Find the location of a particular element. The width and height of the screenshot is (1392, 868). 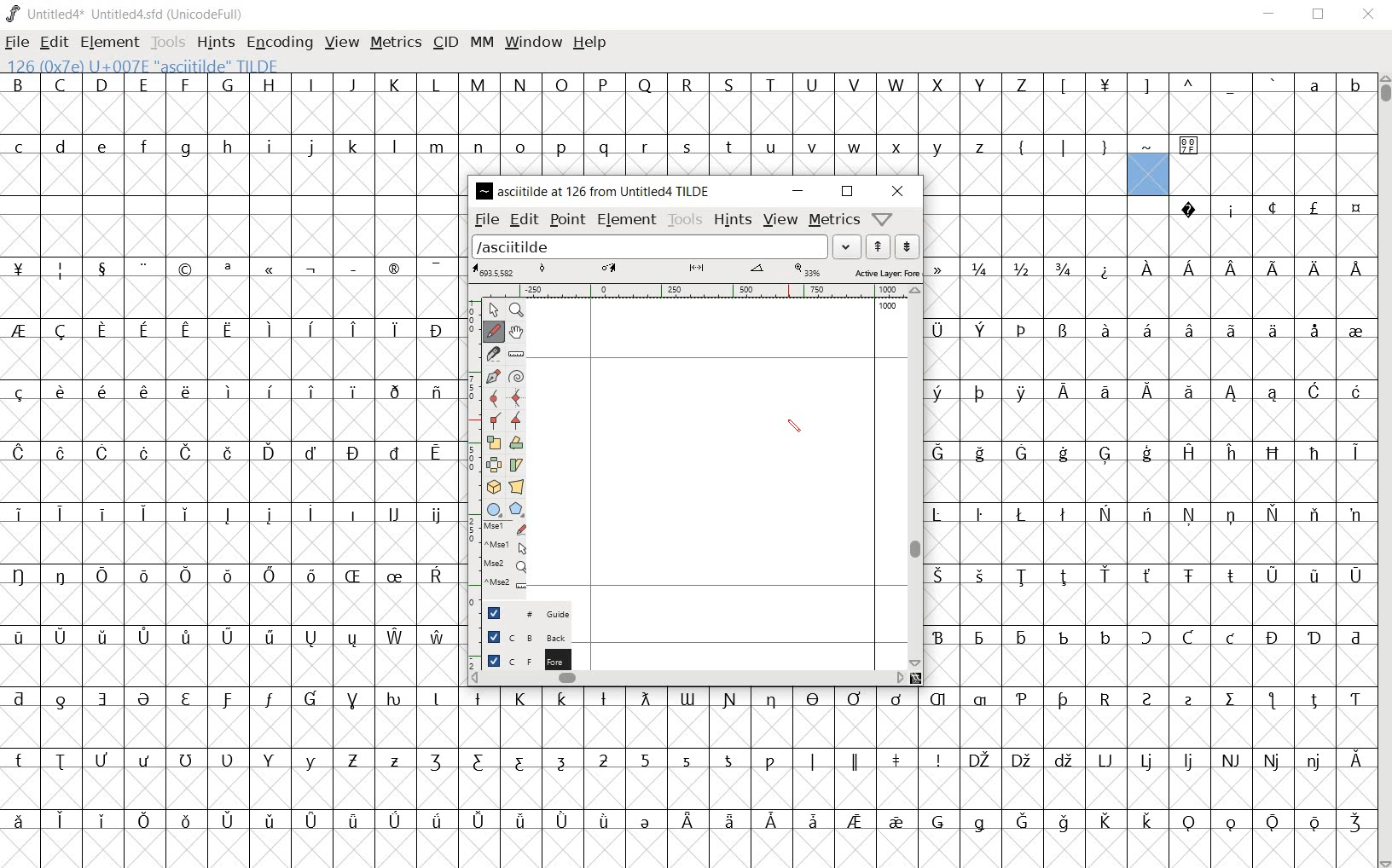

file is located at coordinates (485, 218).